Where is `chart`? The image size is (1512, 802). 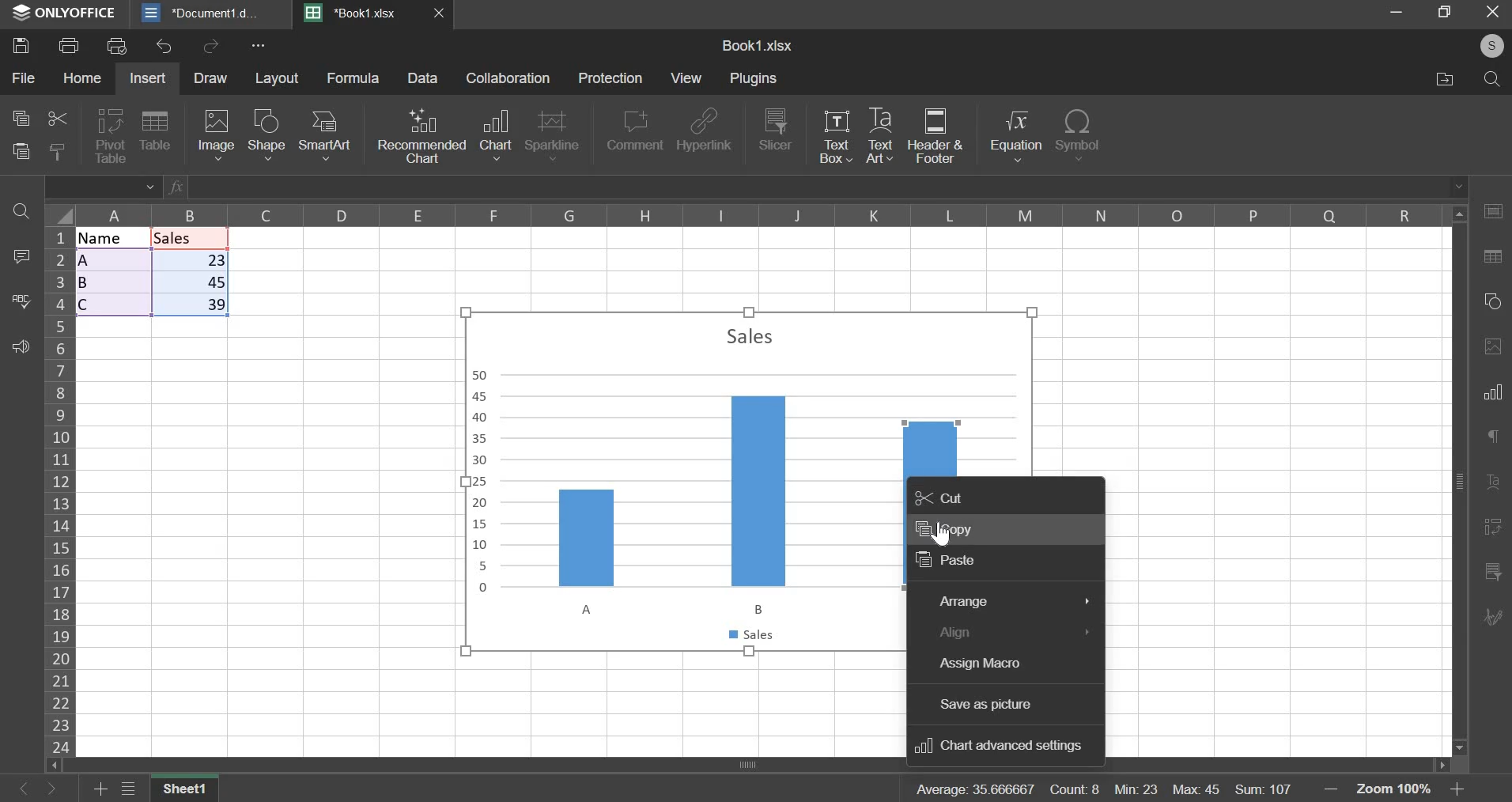
chart is located at coordinates (675, 479).